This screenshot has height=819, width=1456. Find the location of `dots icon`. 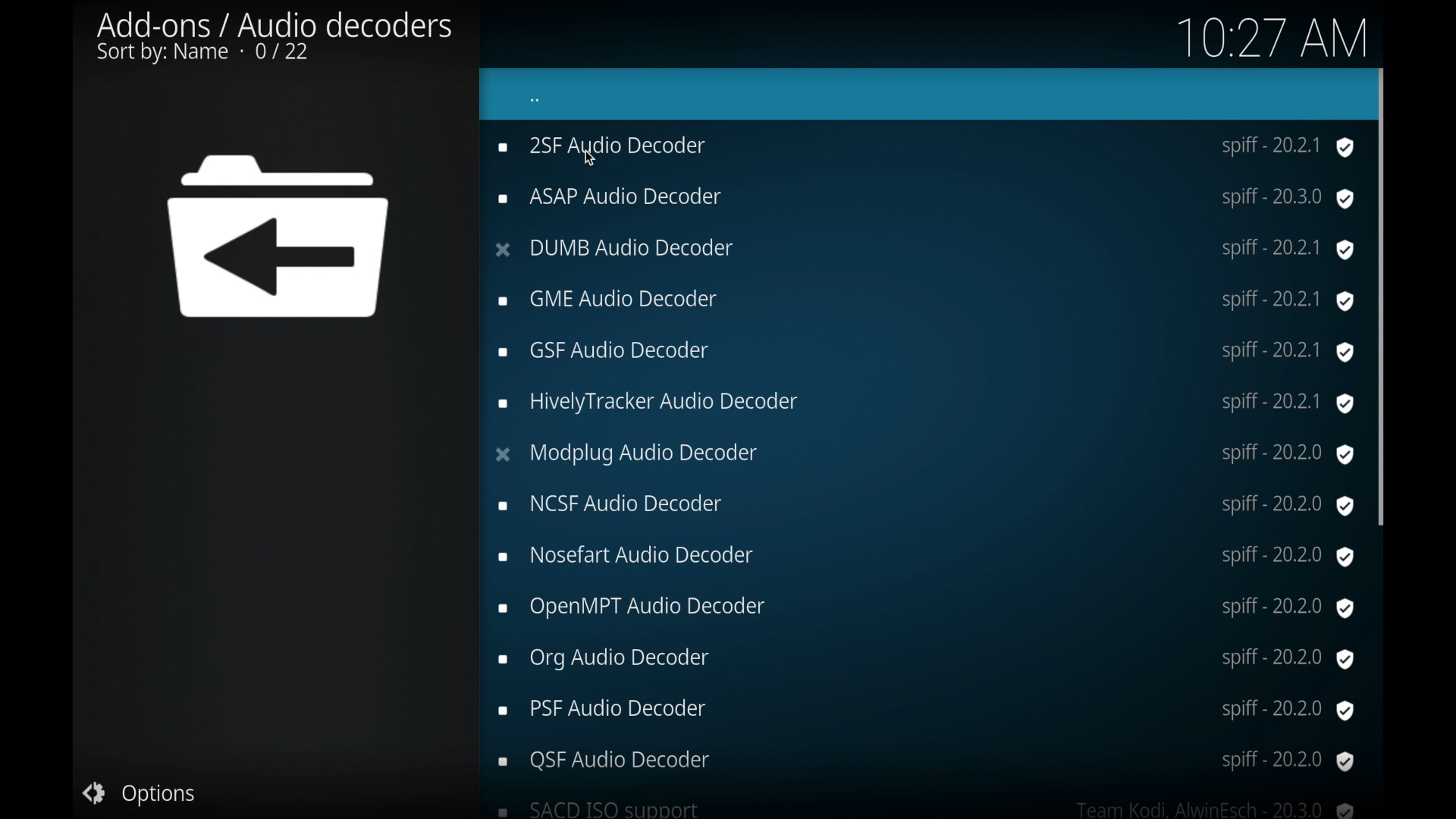

dots icon is located at coordinates (536, 102).